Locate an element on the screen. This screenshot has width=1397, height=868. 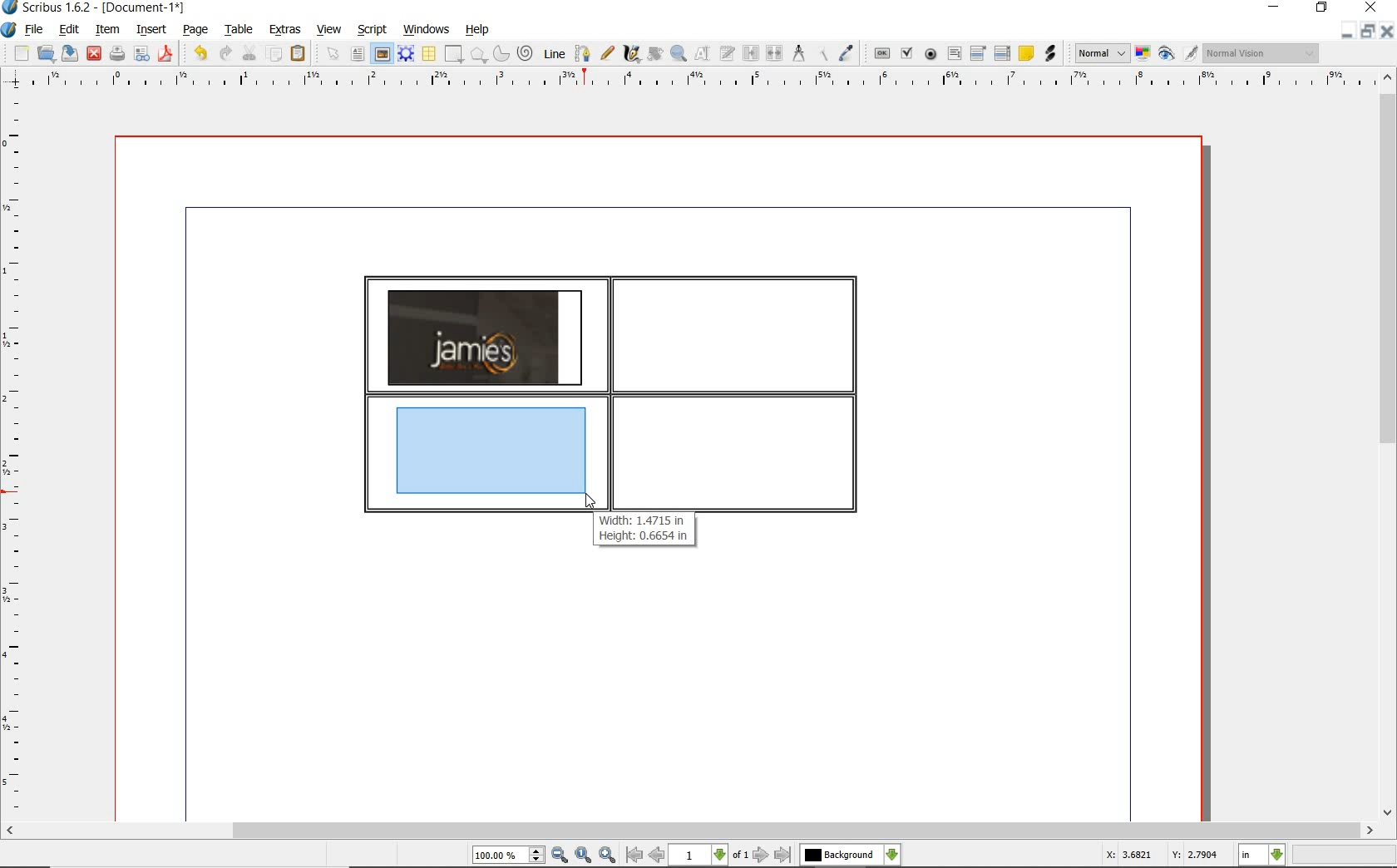
select current page level is located at coordinates (709, 855).